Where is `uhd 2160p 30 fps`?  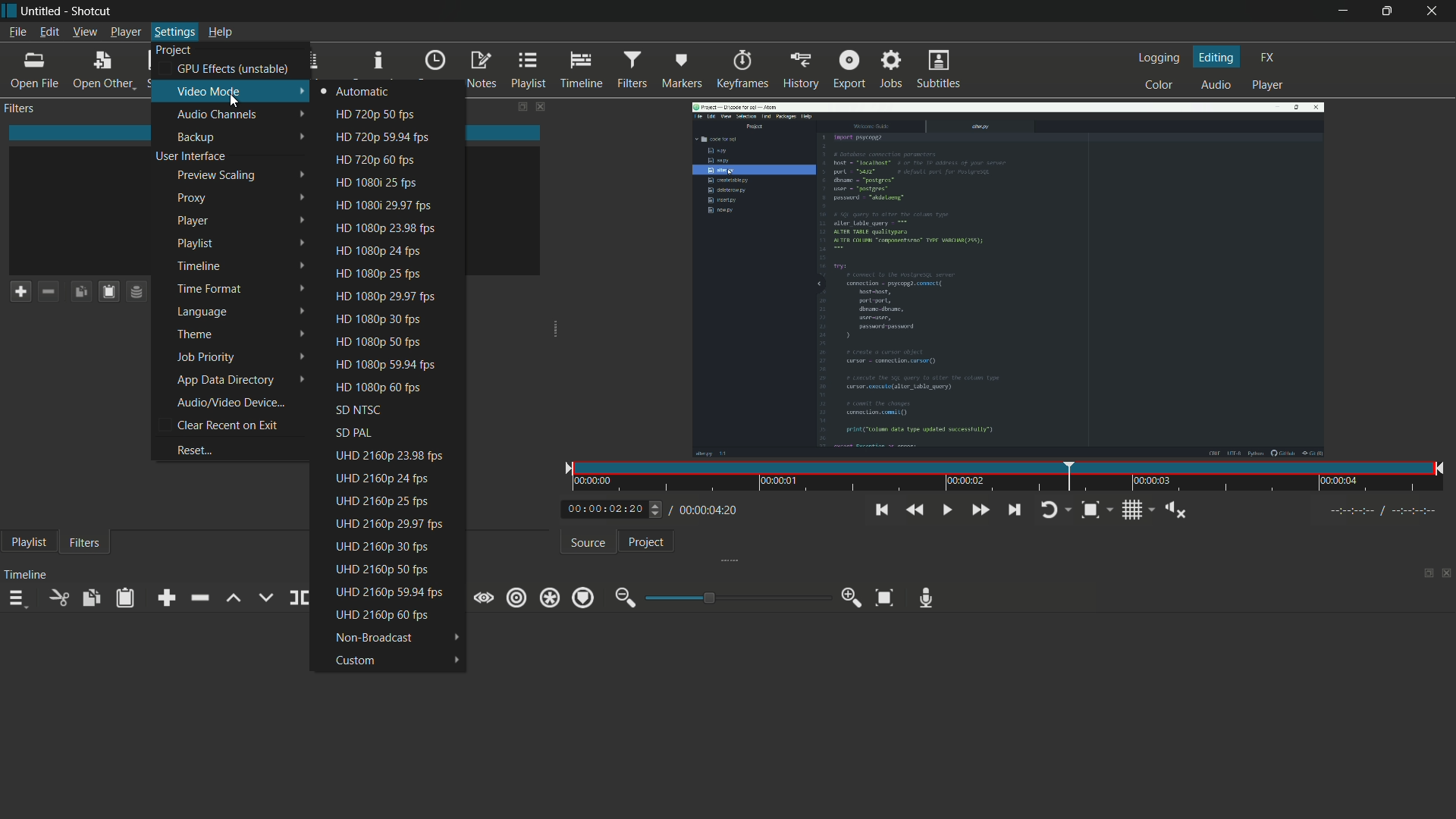
uhd 2160p 30 fps is located at coordinates (392, 544).